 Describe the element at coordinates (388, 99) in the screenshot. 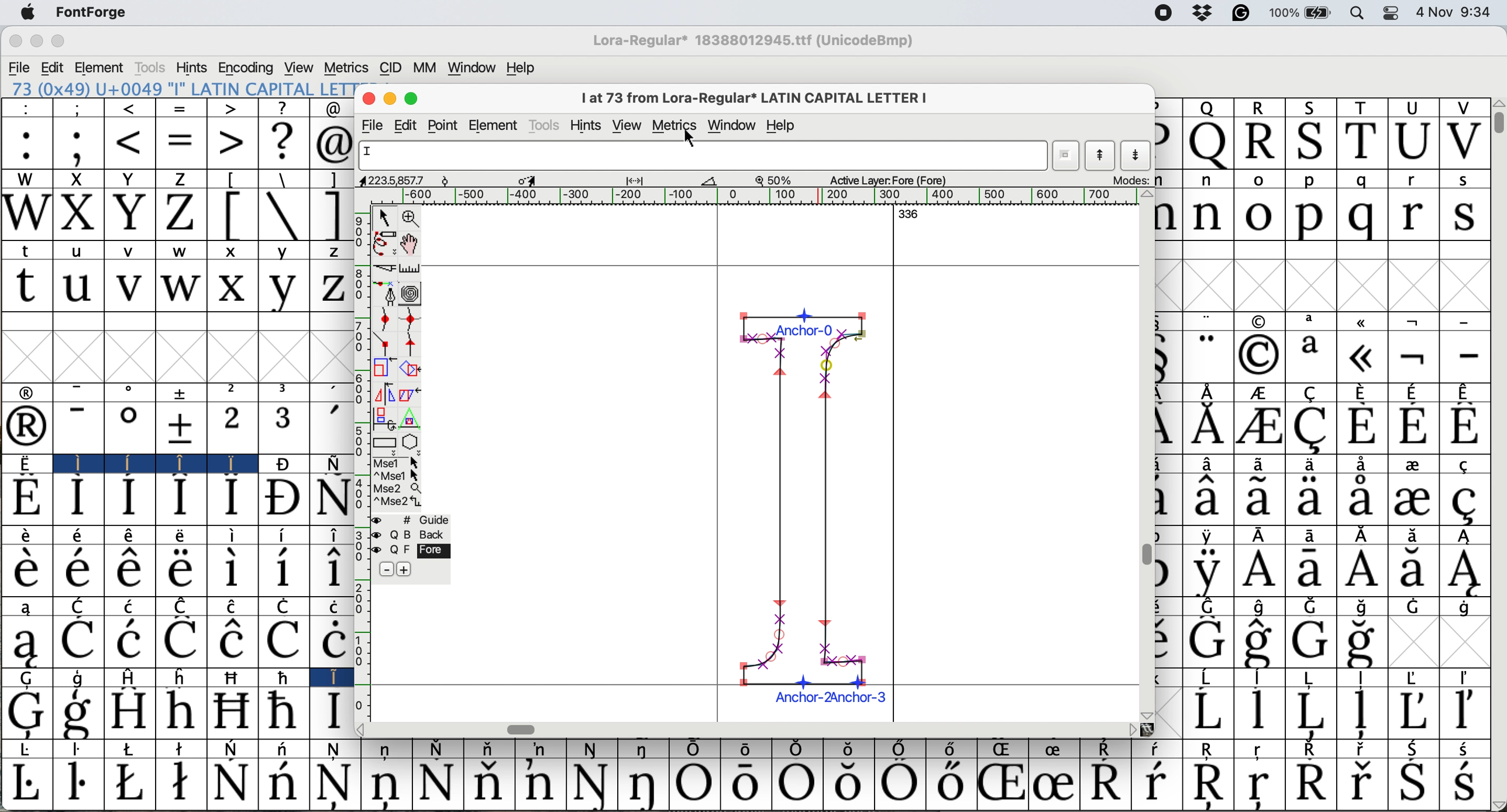

I see `minimise` at that location.